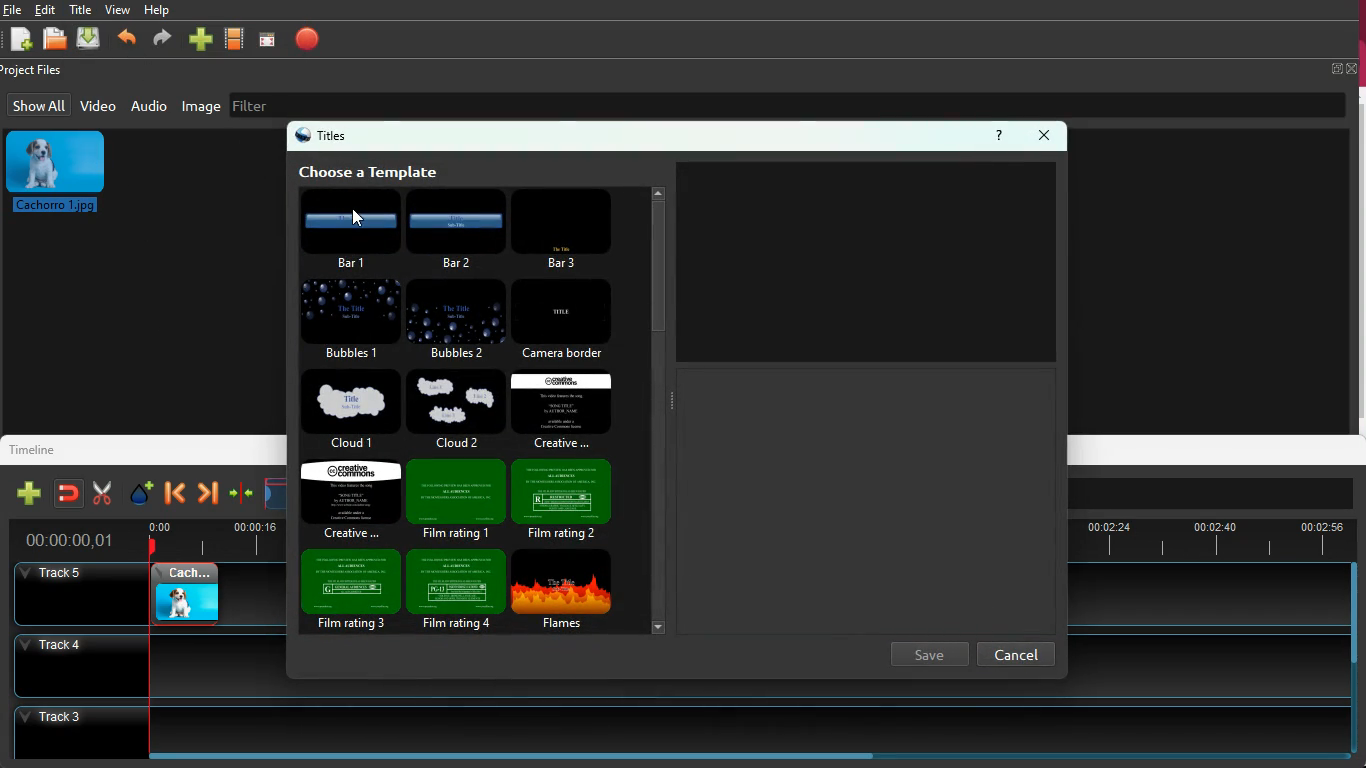 The image size is (1366, 768). What do you see at coordinates (1357, 260) in the screenshot?
I see `vertical scroll bar` at bounding box center [1357, 260].